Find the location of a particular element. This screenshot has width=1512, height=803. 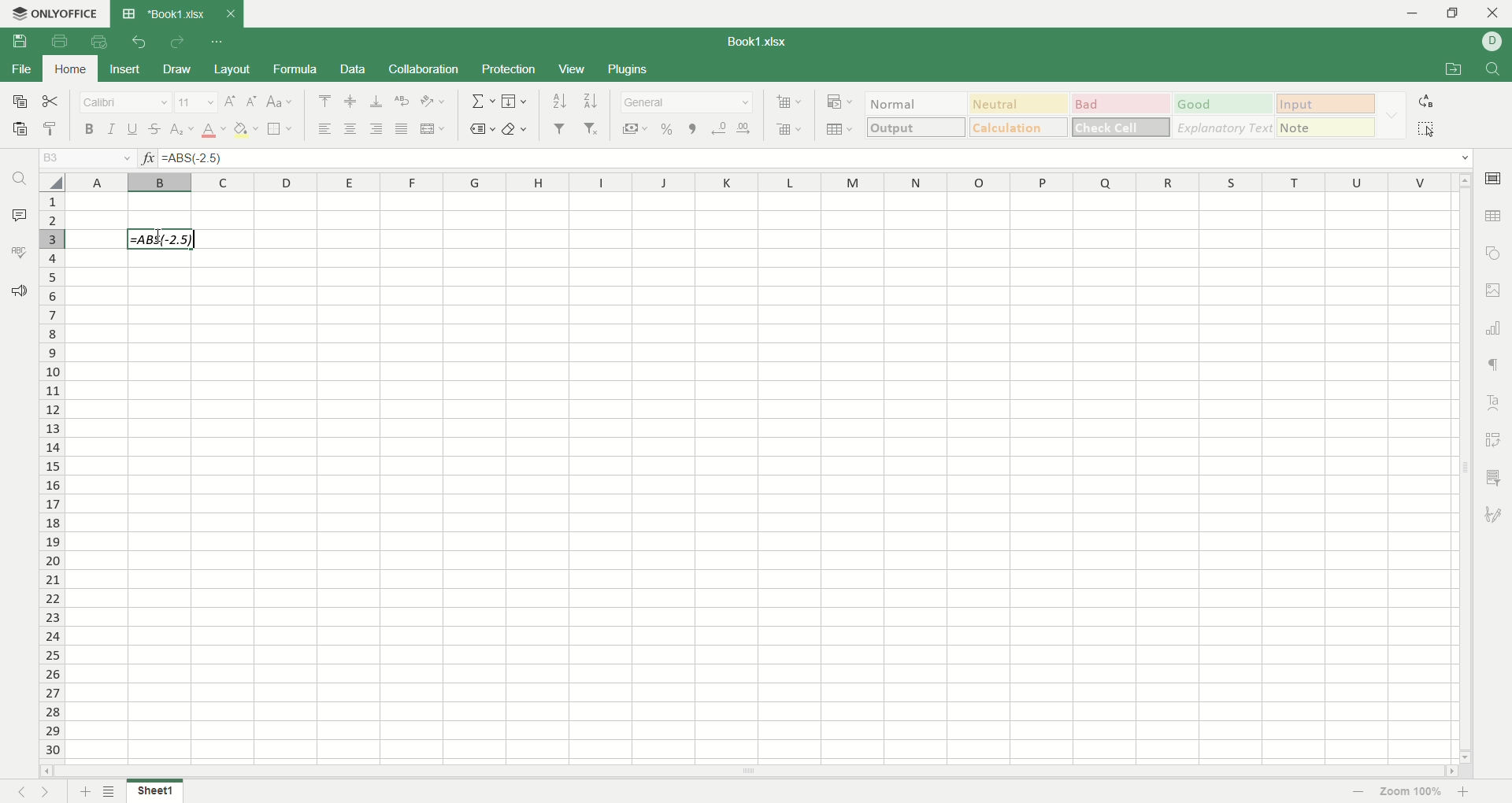

output is located at coordinates (917, 126).